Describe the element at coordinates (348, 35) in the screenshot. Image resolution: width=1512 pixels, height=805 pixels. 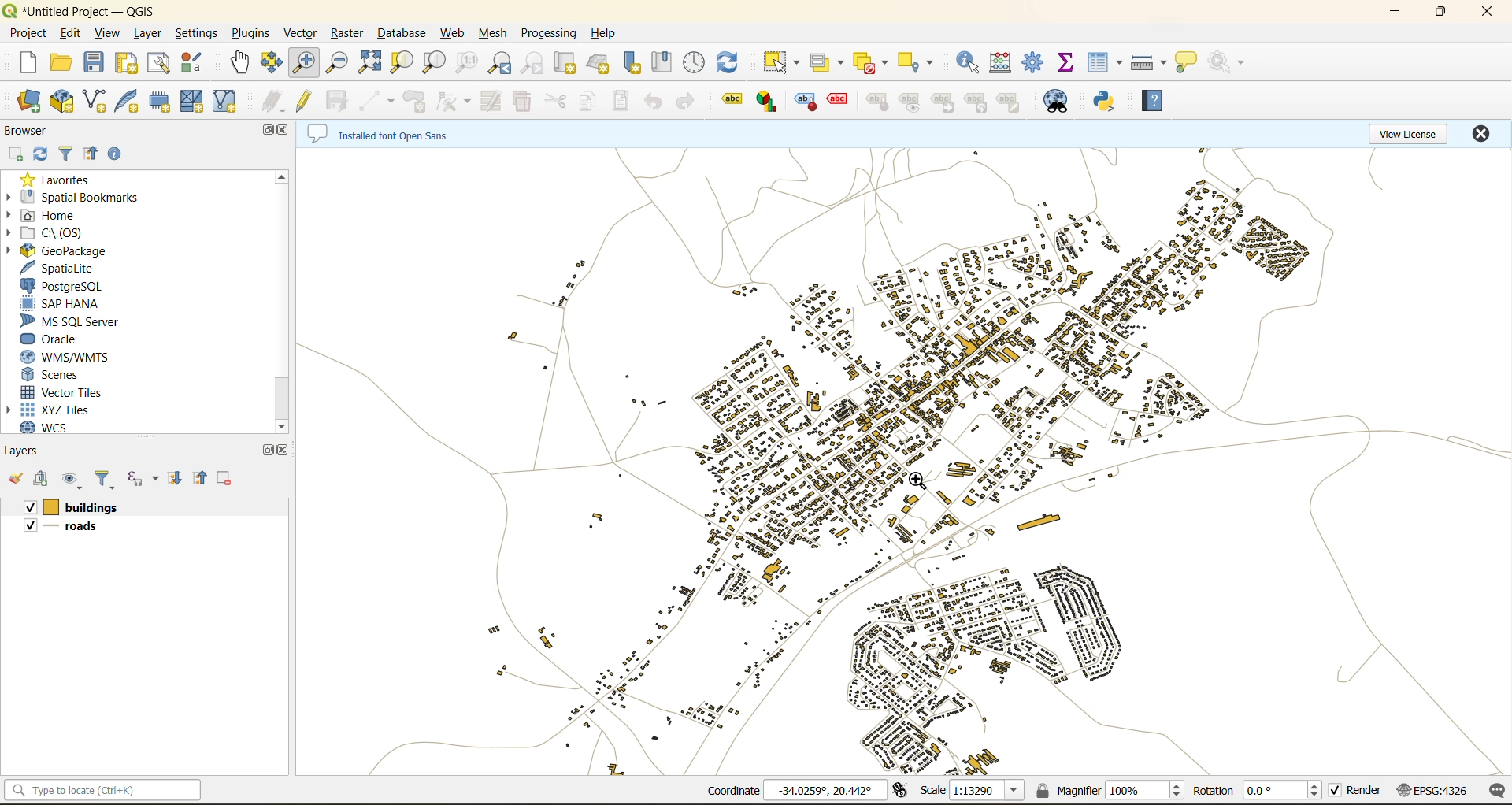
I see `raster` at that location.